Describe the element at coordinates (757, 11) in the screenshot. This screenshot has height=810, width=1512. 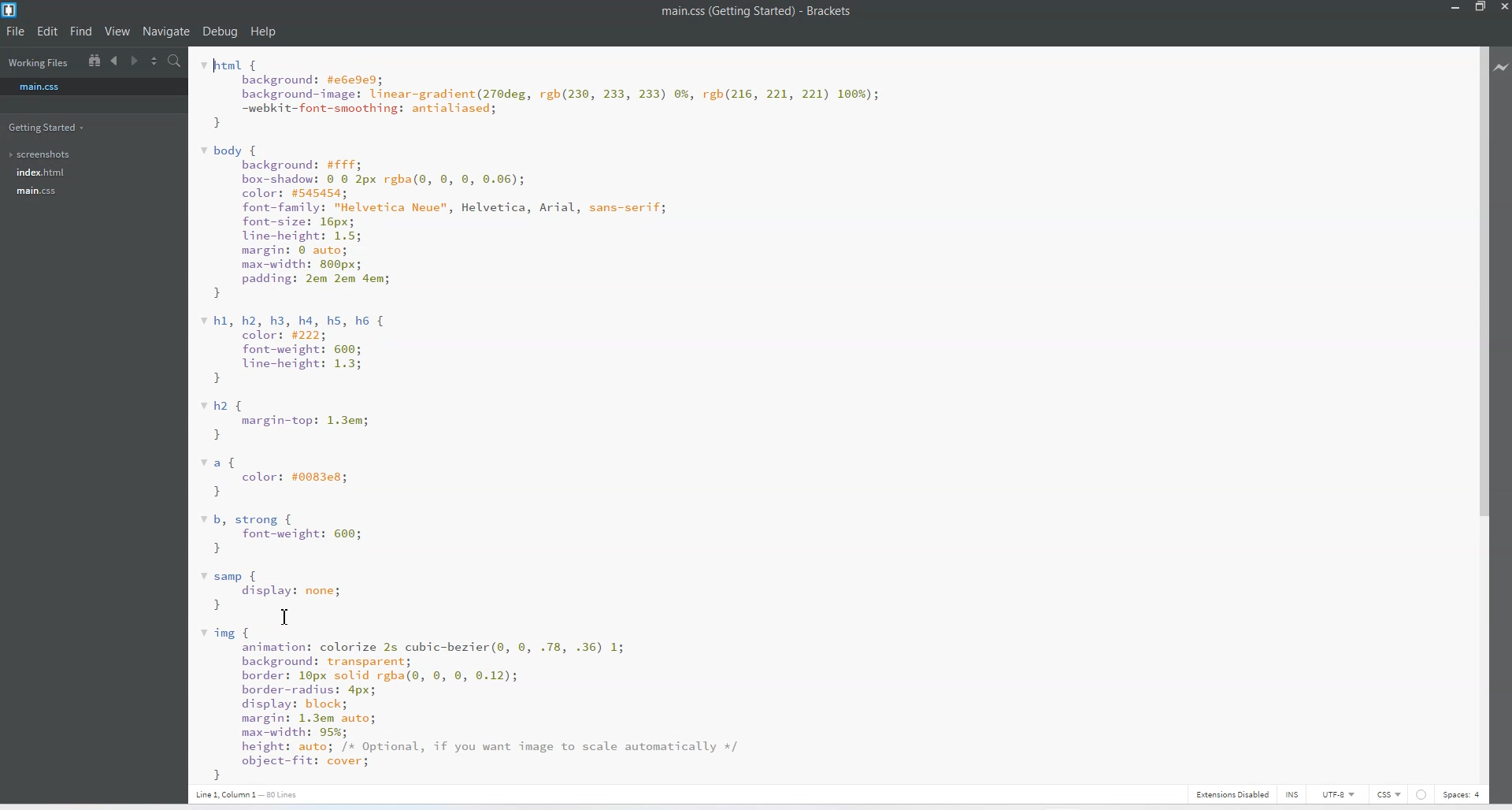
I see `Text` at that location.